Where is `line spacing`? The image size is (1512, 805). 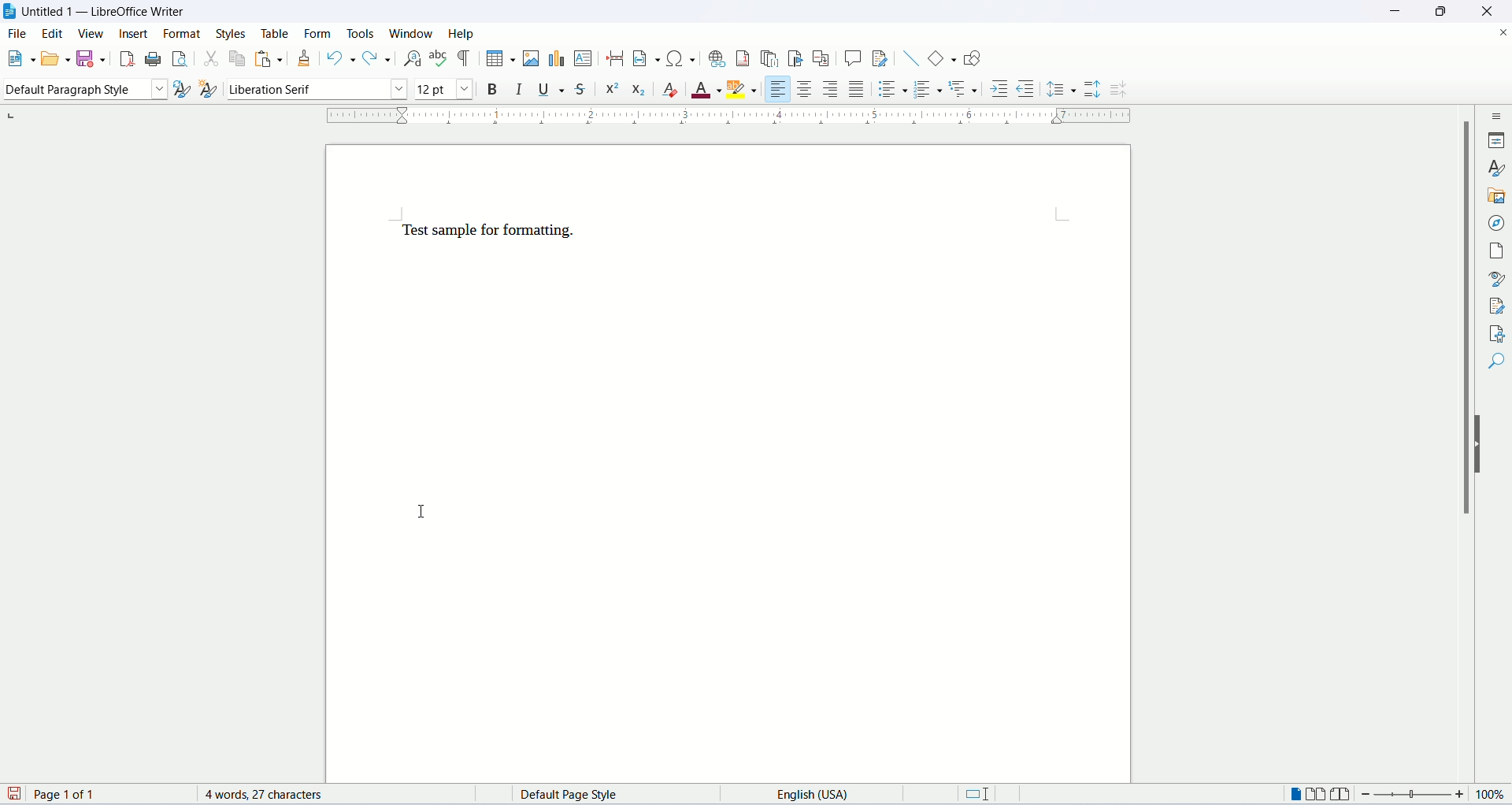 line spacing is located at coordinates (1062, 88).